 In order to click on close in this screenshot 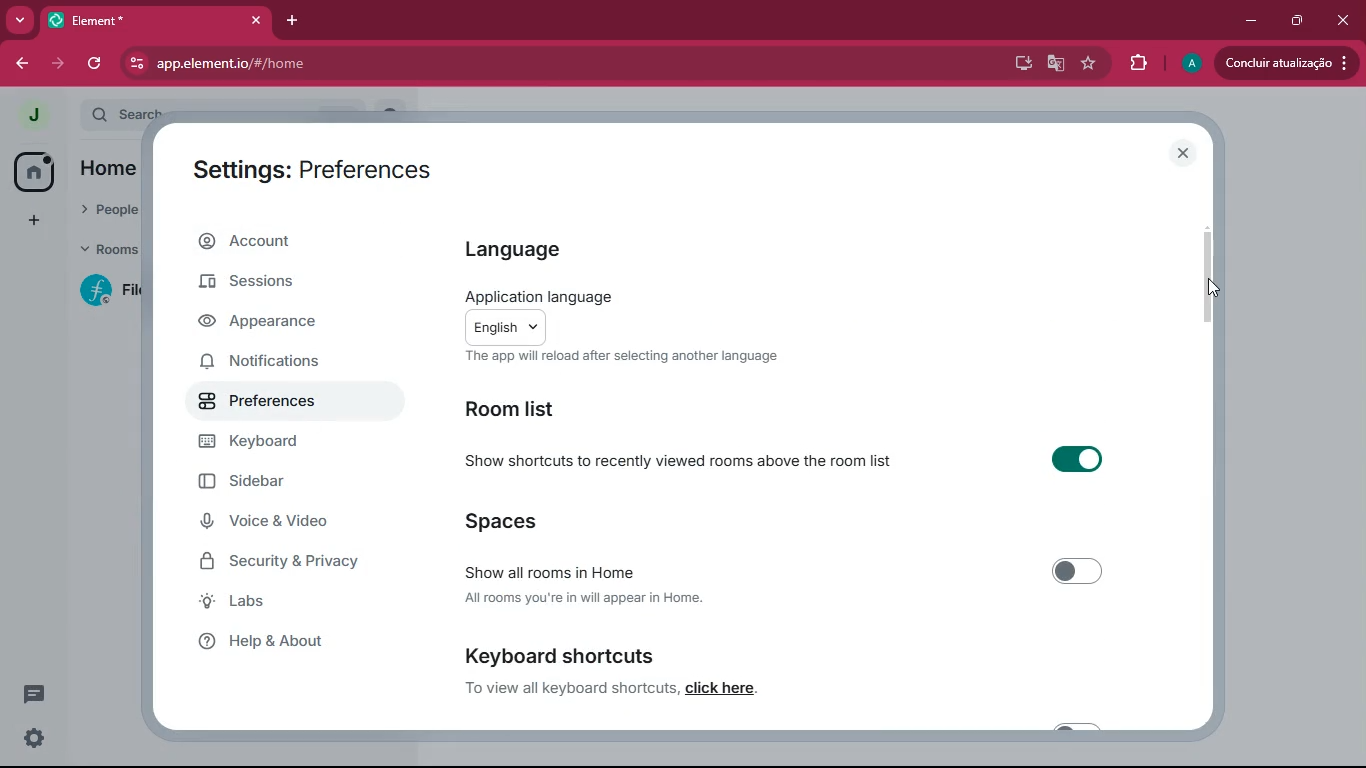, I will do `click(1186, 155)`.